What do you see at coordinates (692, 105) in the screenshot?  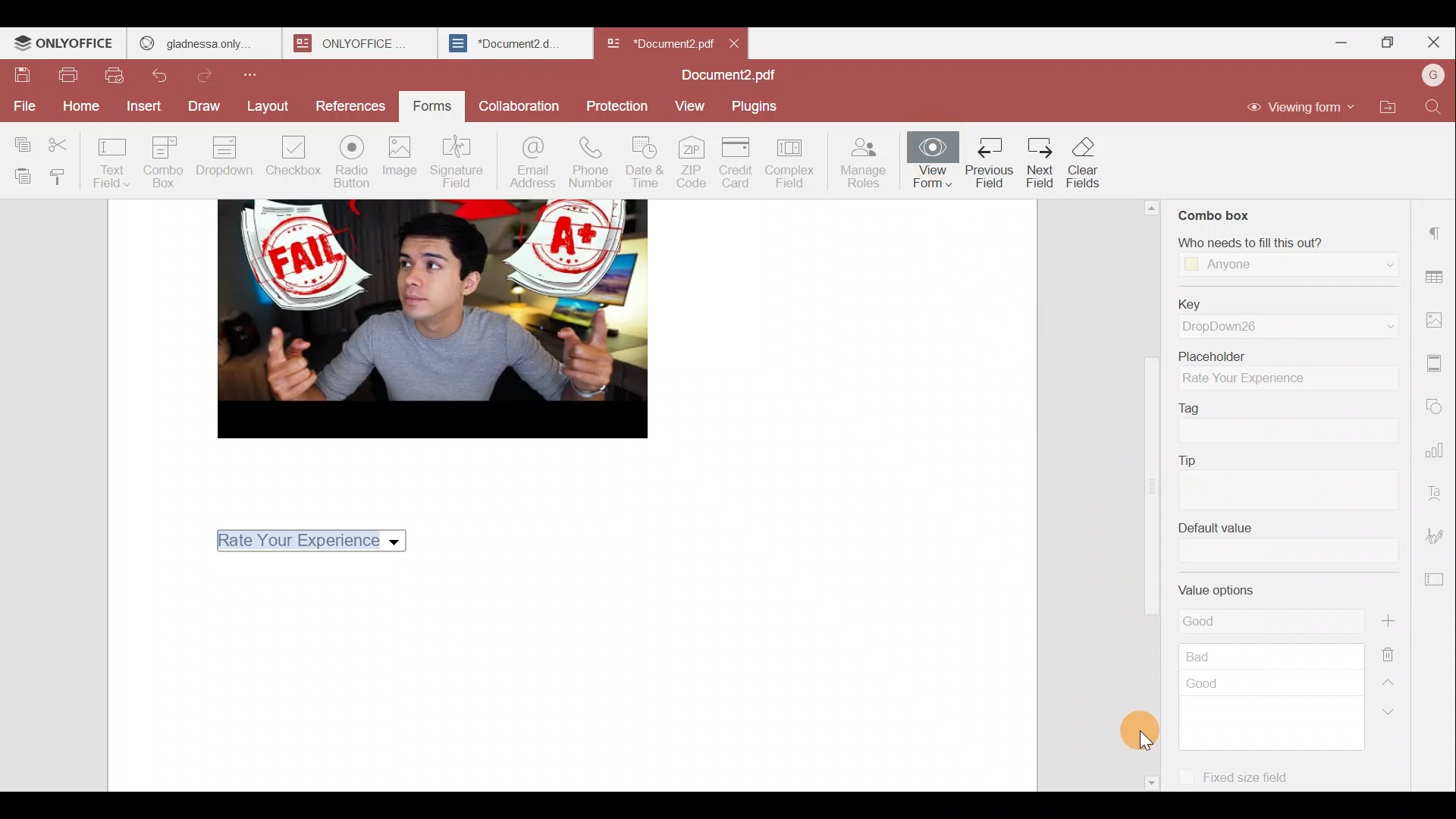 I see `View` at bounding box center [692, 105].